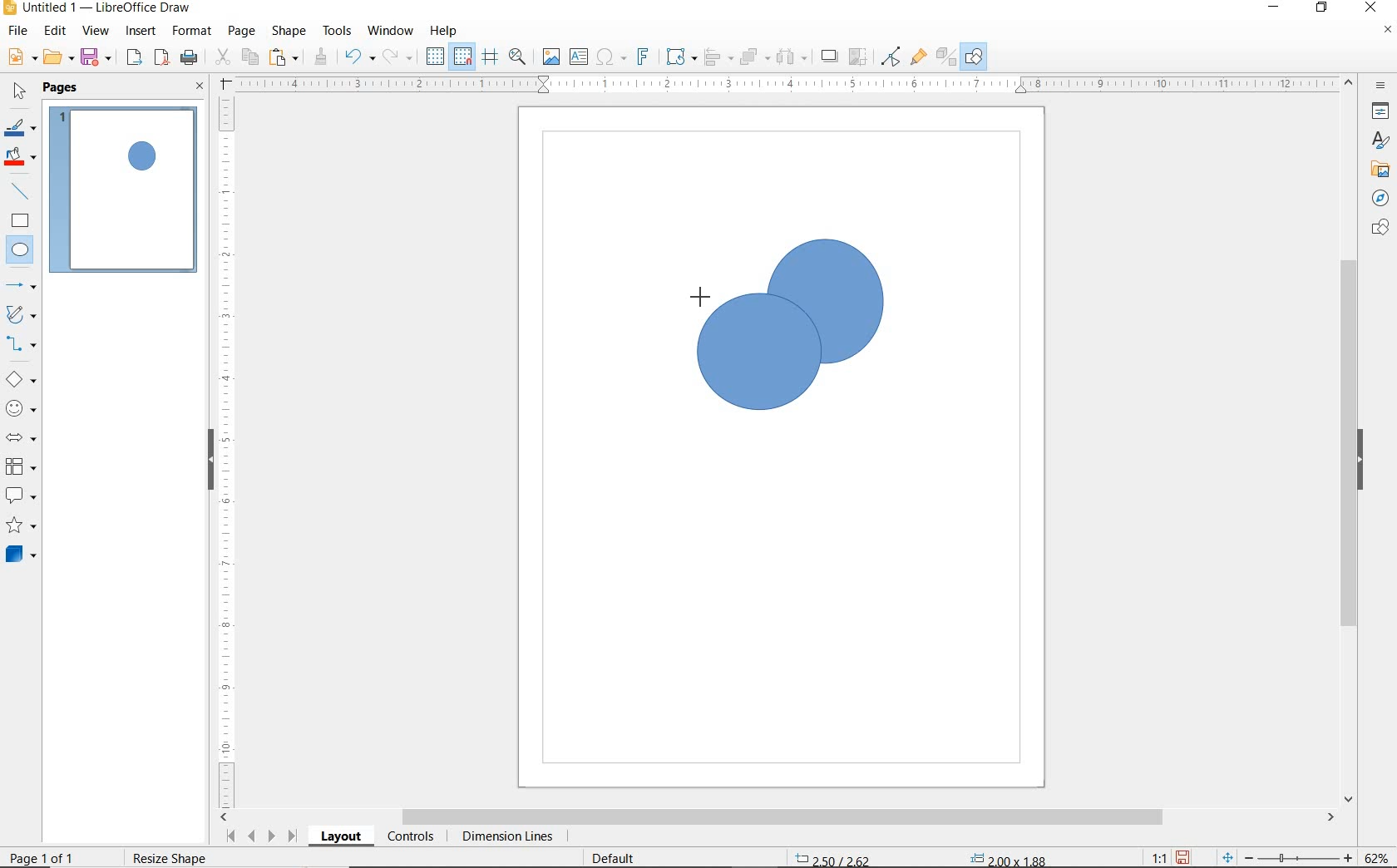 Image resolution: width=1397 pixels, height=868 pixels. Describe the element at coordinates (144, 158) in the screenshot. I see `CIRCLE ADDED` at that location.